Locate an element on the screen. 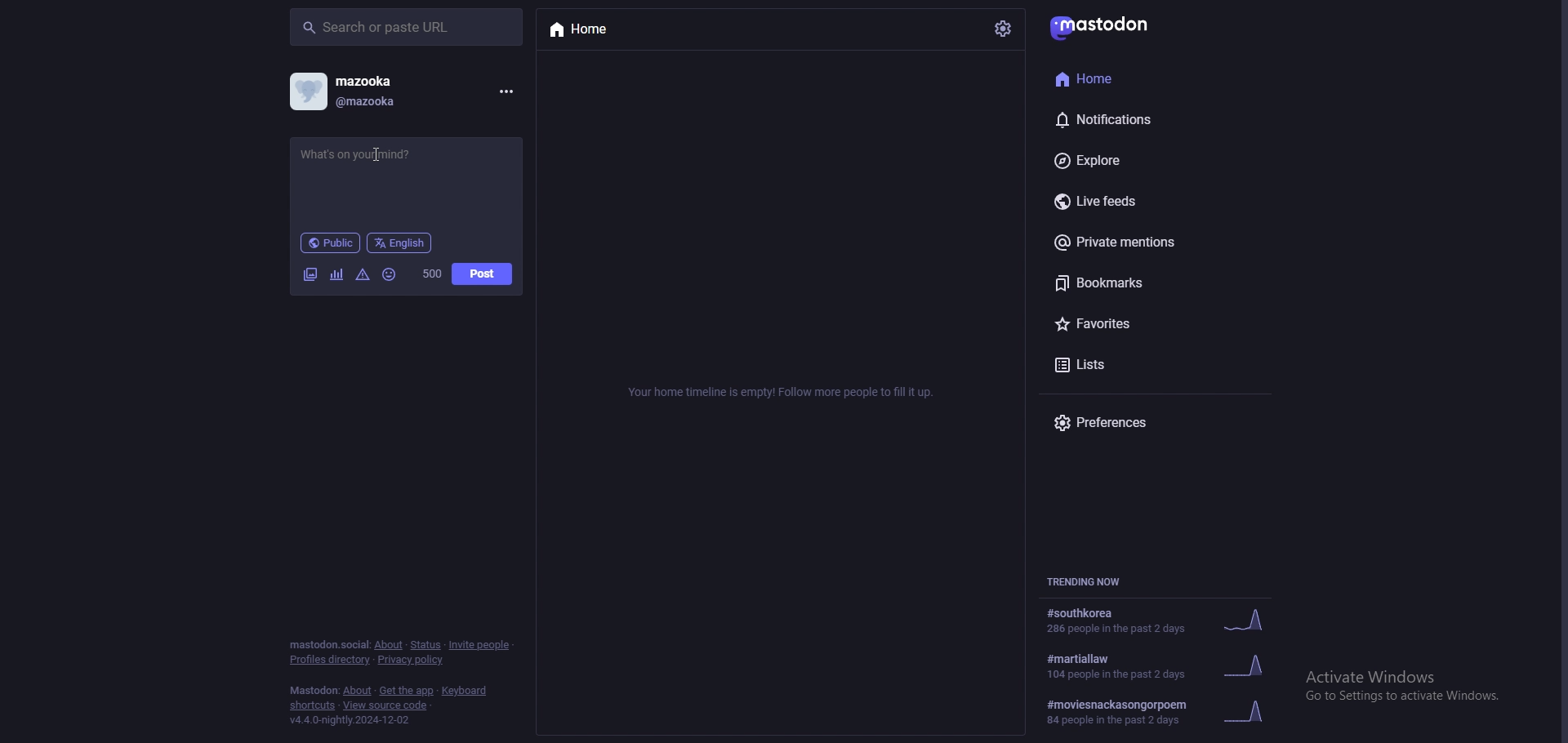  Windows activation prompt is located at coordinates (1403, 683).